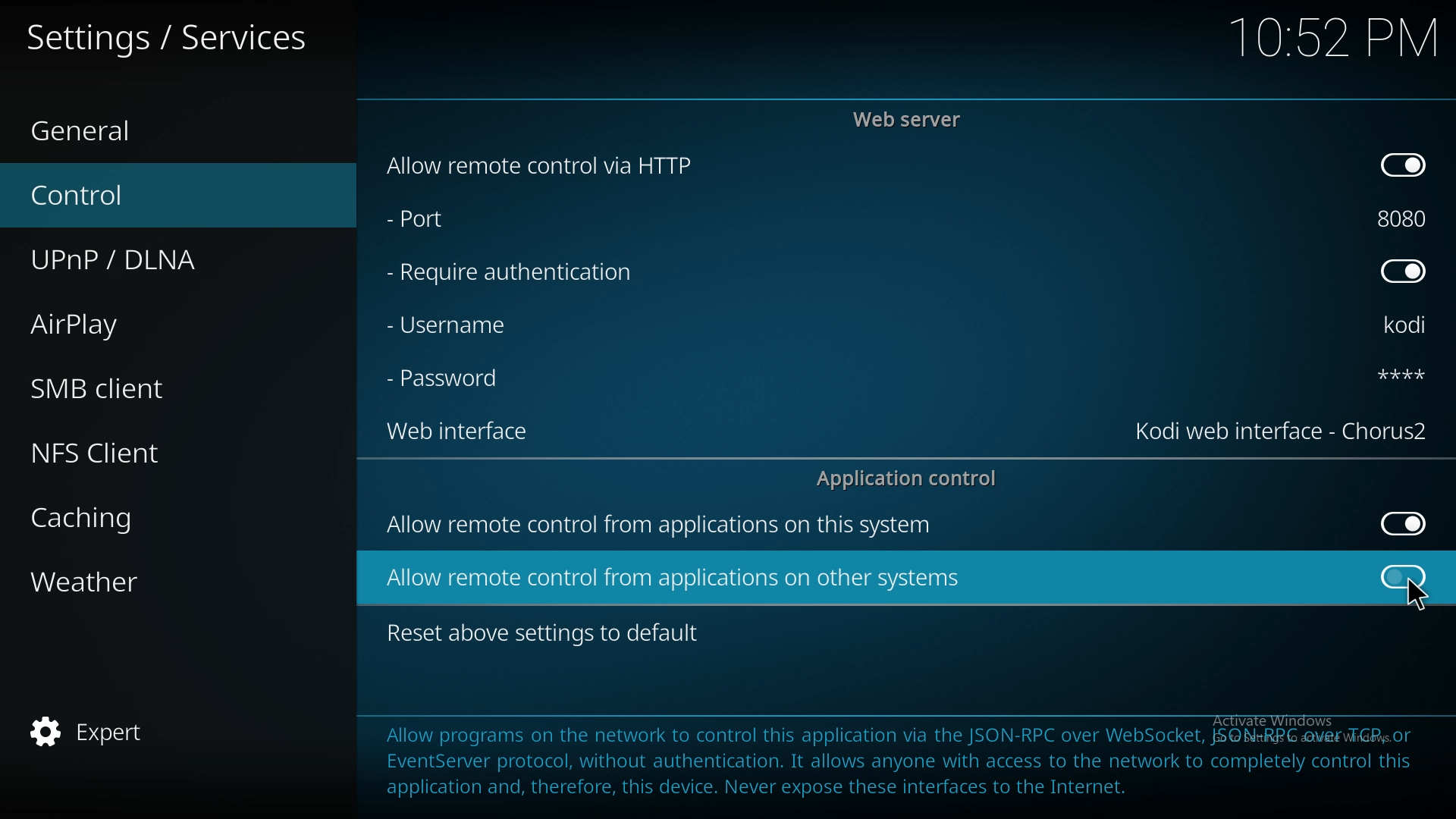  I want to click on control, so click(155, 196).